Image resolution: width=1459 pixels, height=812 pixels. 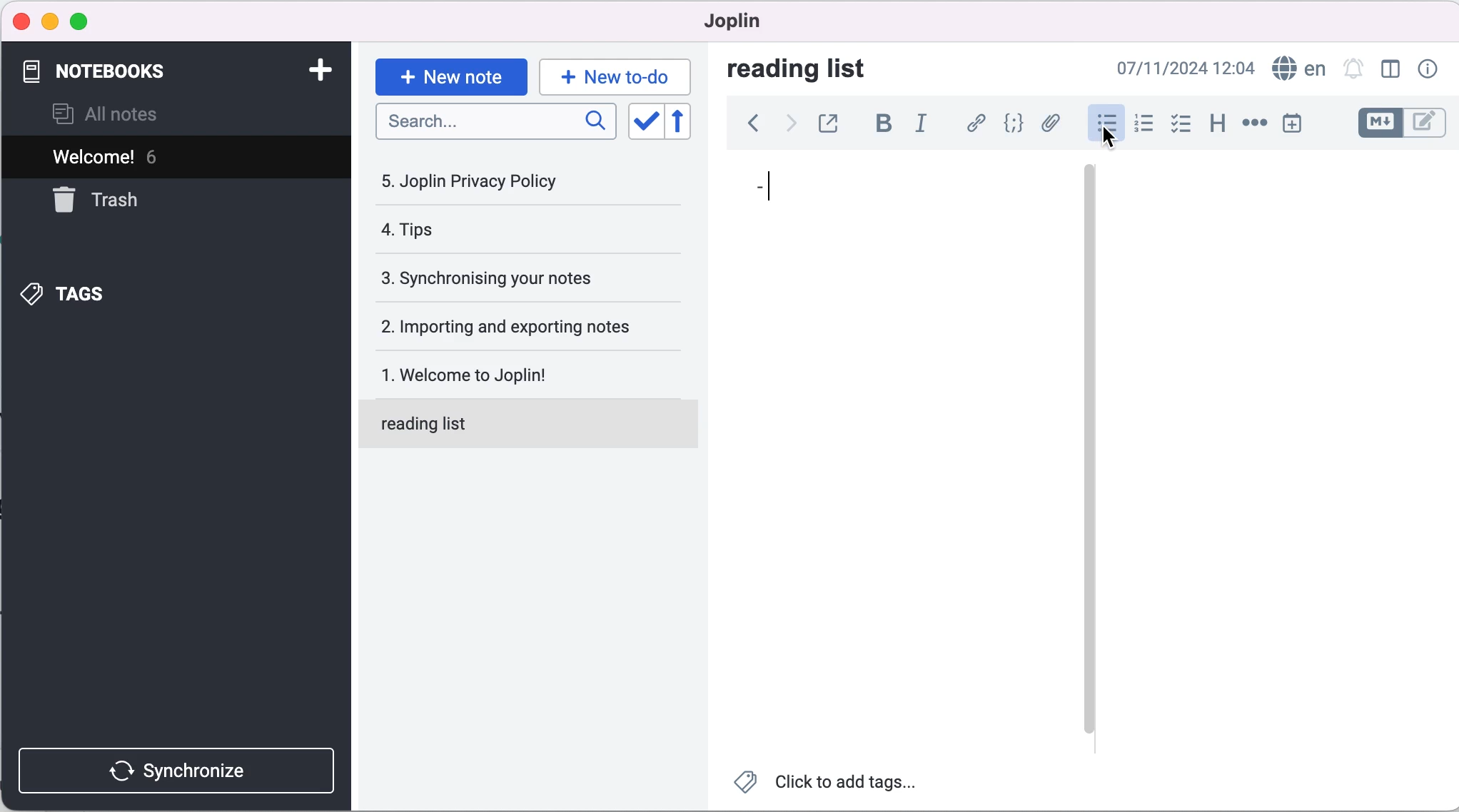 What do you see at coordinates (499, 230) in the screenshot?
I see `tips` at bounding box center [499, 230].